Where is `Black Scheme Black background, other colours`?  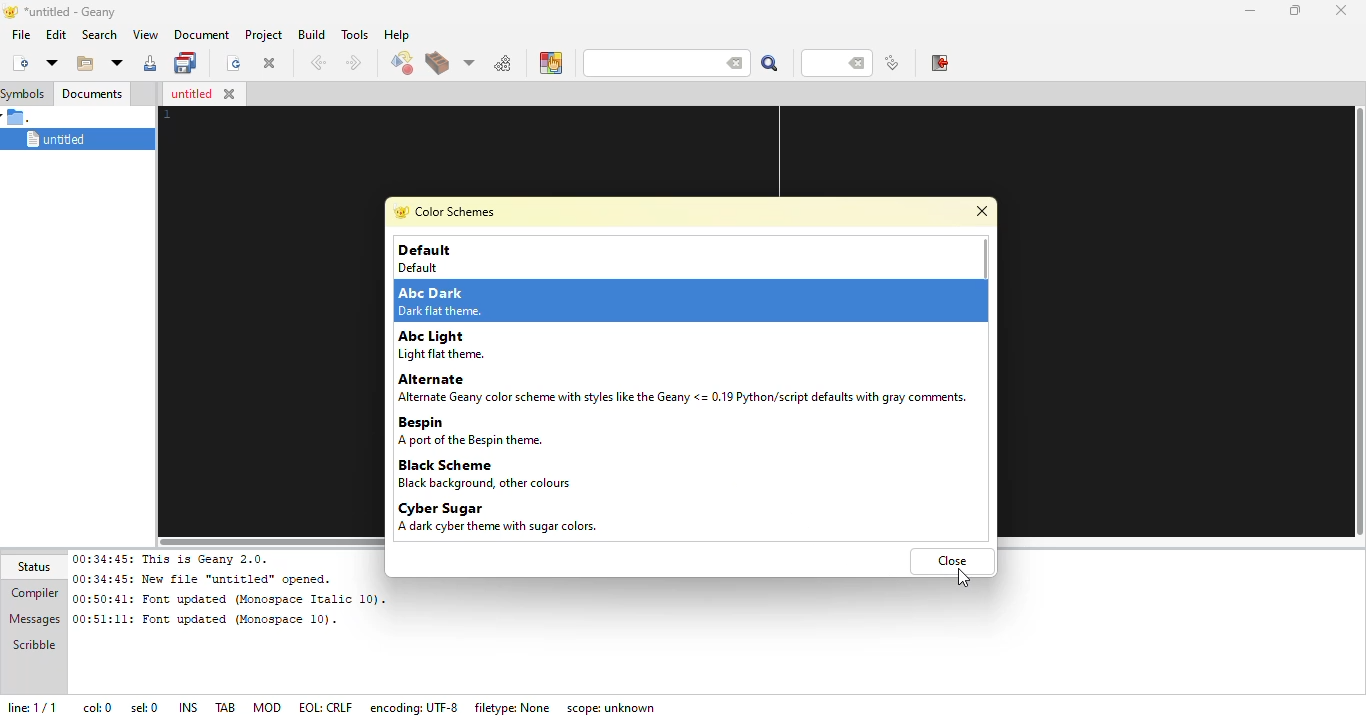
Black Scheme Black background, other colours is located at coordinates (496, 474).